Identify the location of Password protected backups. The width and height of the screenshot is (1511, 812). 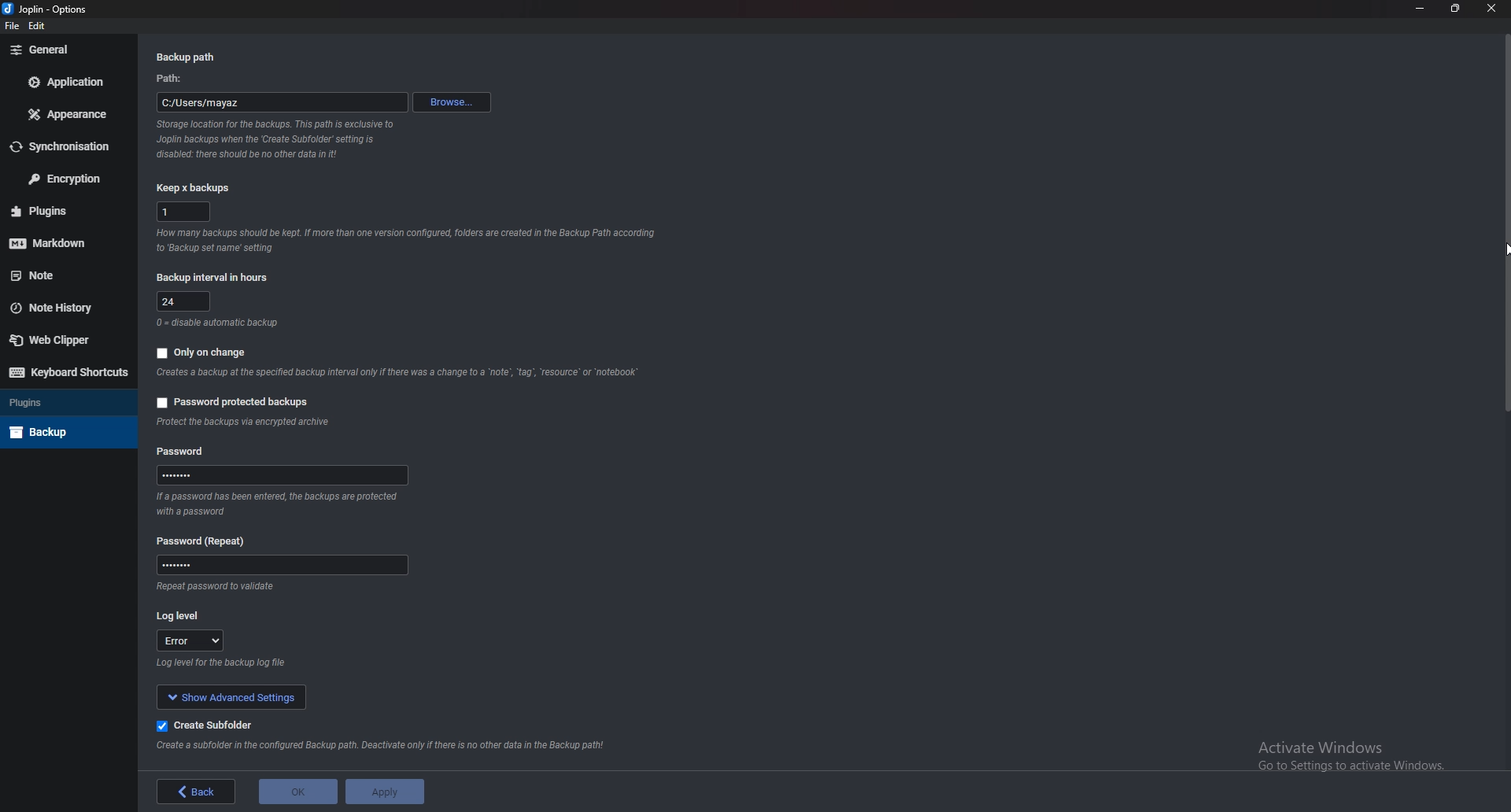
(238, 402).